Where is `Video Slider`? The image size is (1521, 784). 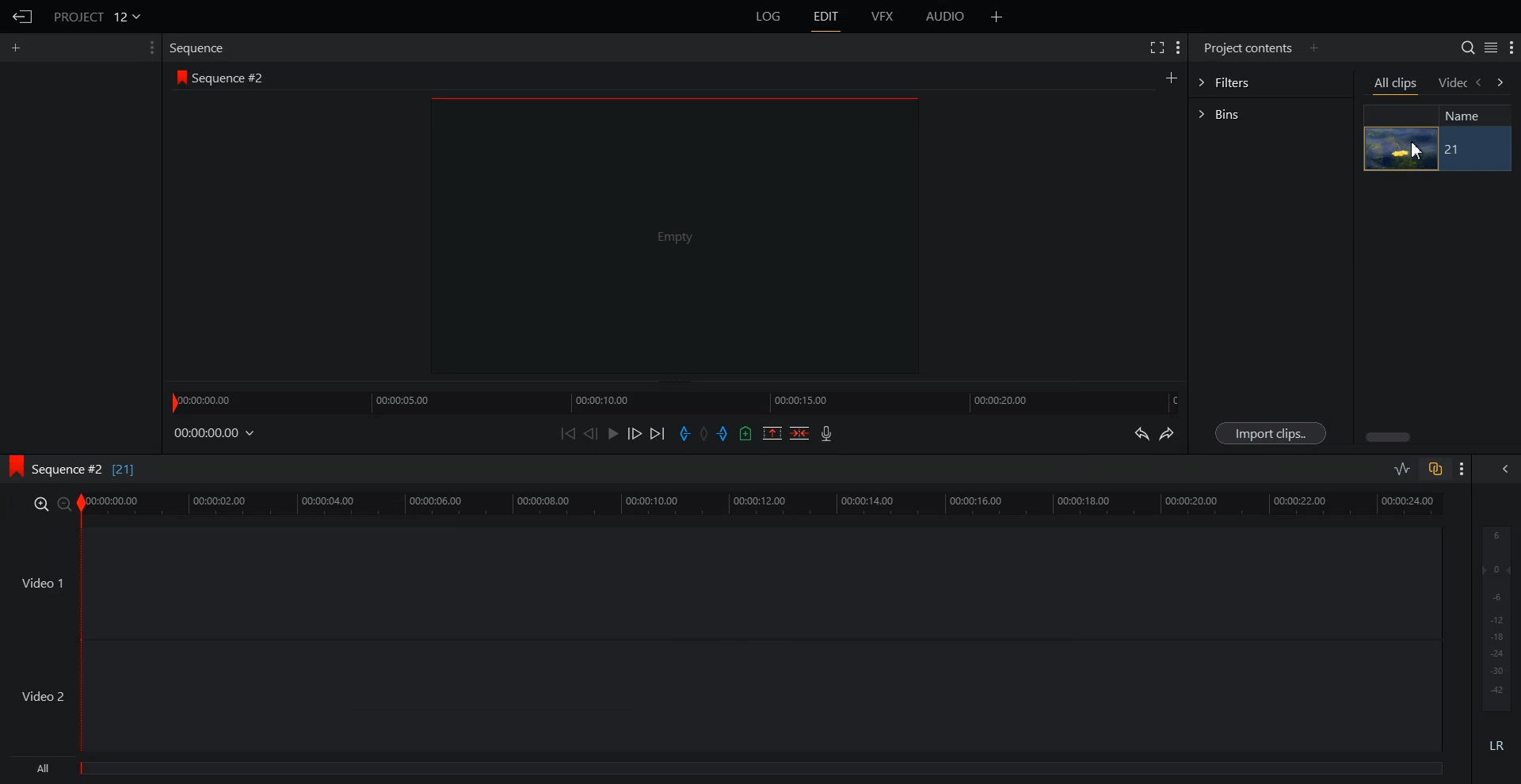
Video Slider is located at coordinates (770, 504).